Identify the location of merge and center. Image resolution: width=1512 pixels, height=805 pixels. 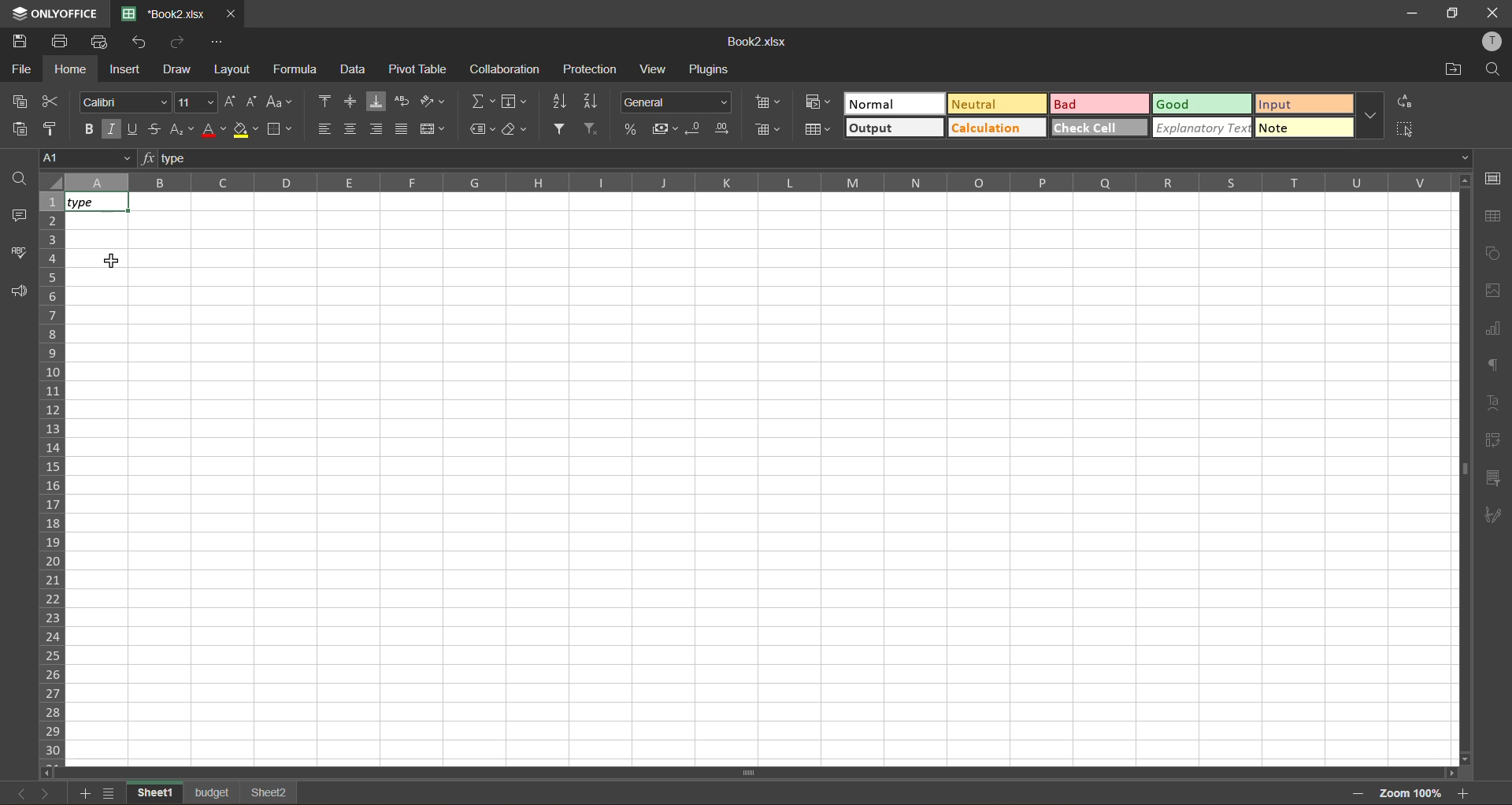
(429, 130).